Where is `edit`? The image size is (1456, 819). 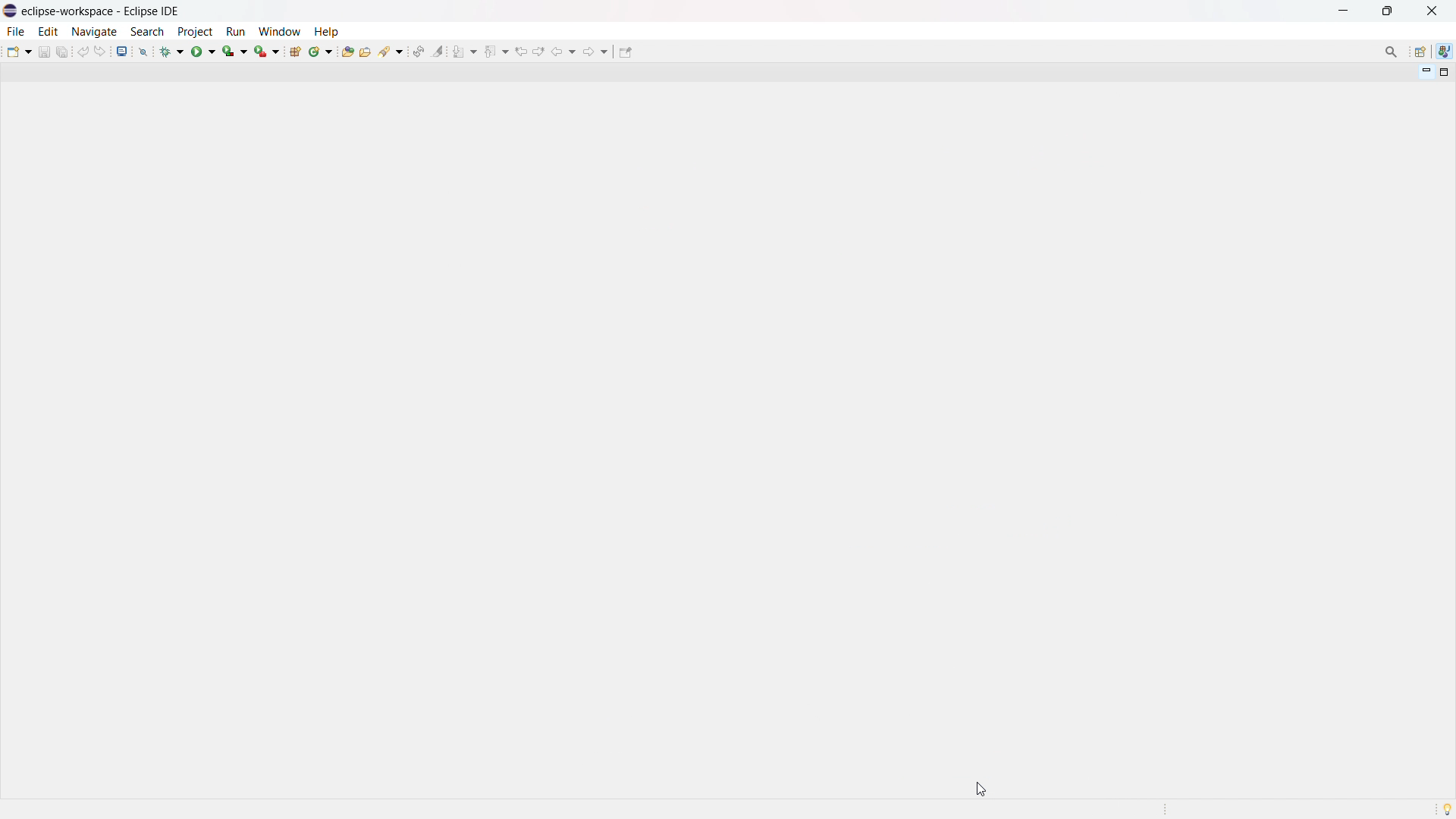 edit is located at coordinates (47, 32).